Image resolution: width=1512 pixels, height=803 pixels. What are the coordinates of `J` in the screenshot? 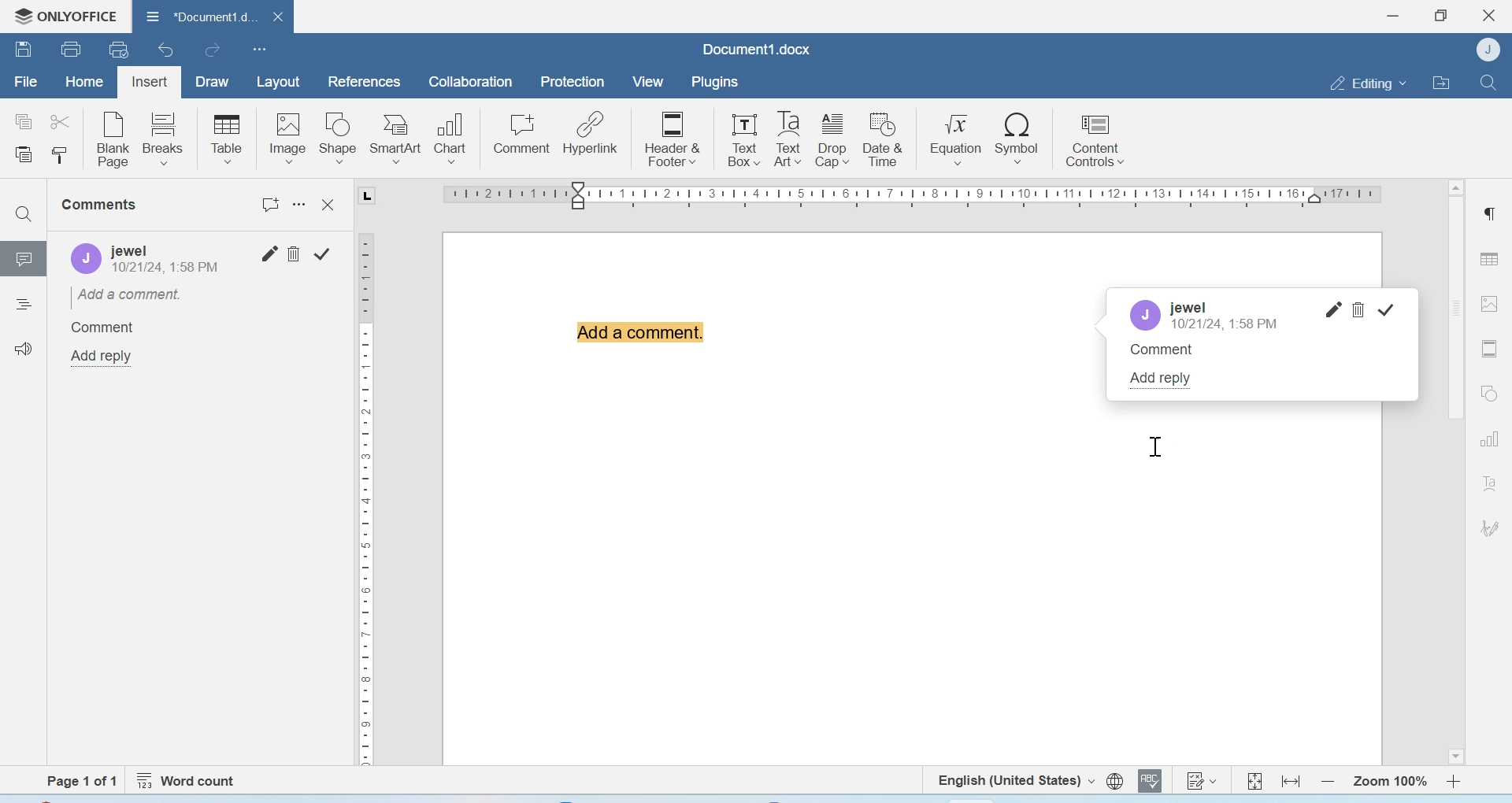 It's located at (81, 260).